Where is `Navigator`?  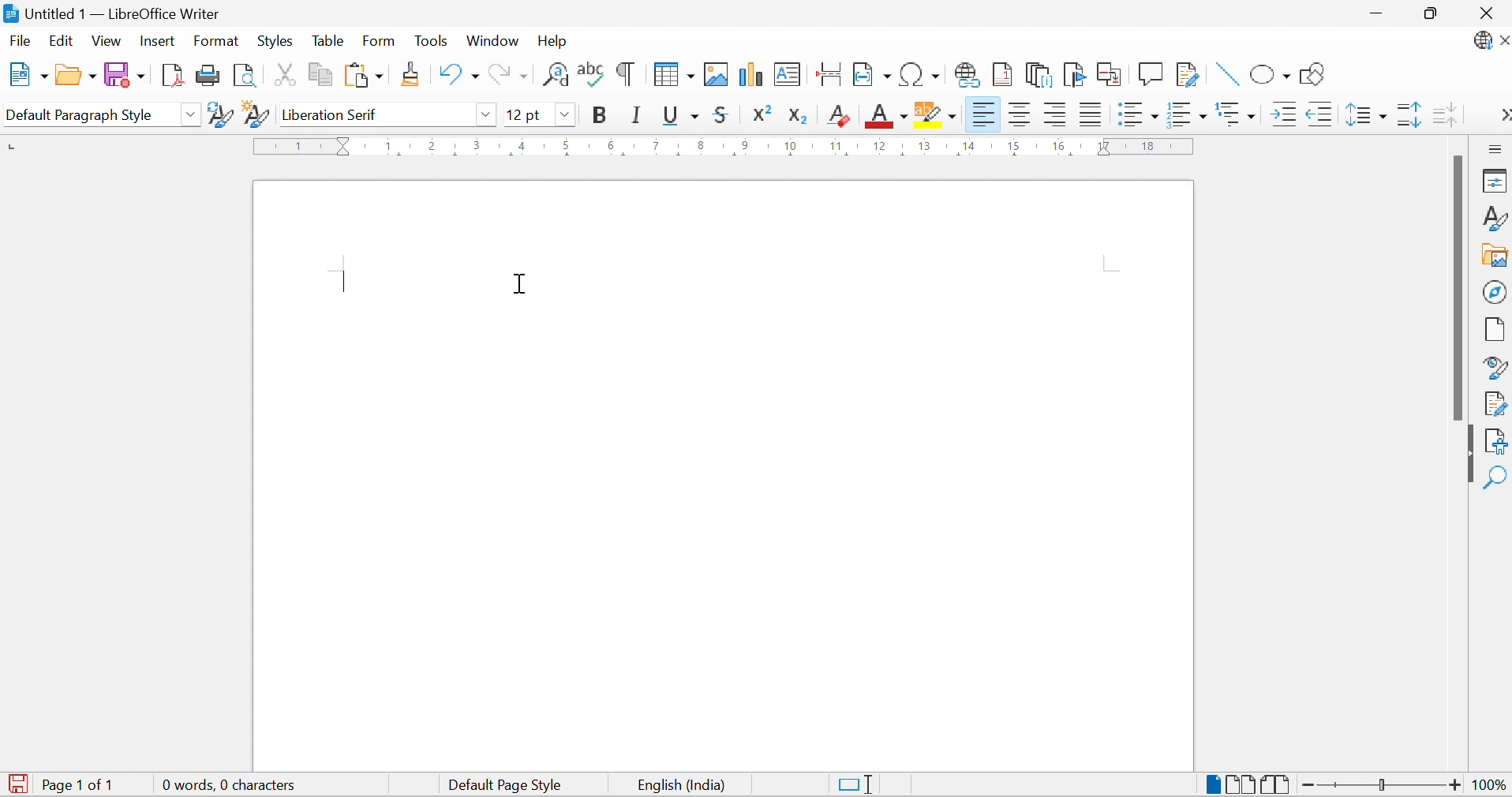
Navigator is located at coordinates (1495, 291).